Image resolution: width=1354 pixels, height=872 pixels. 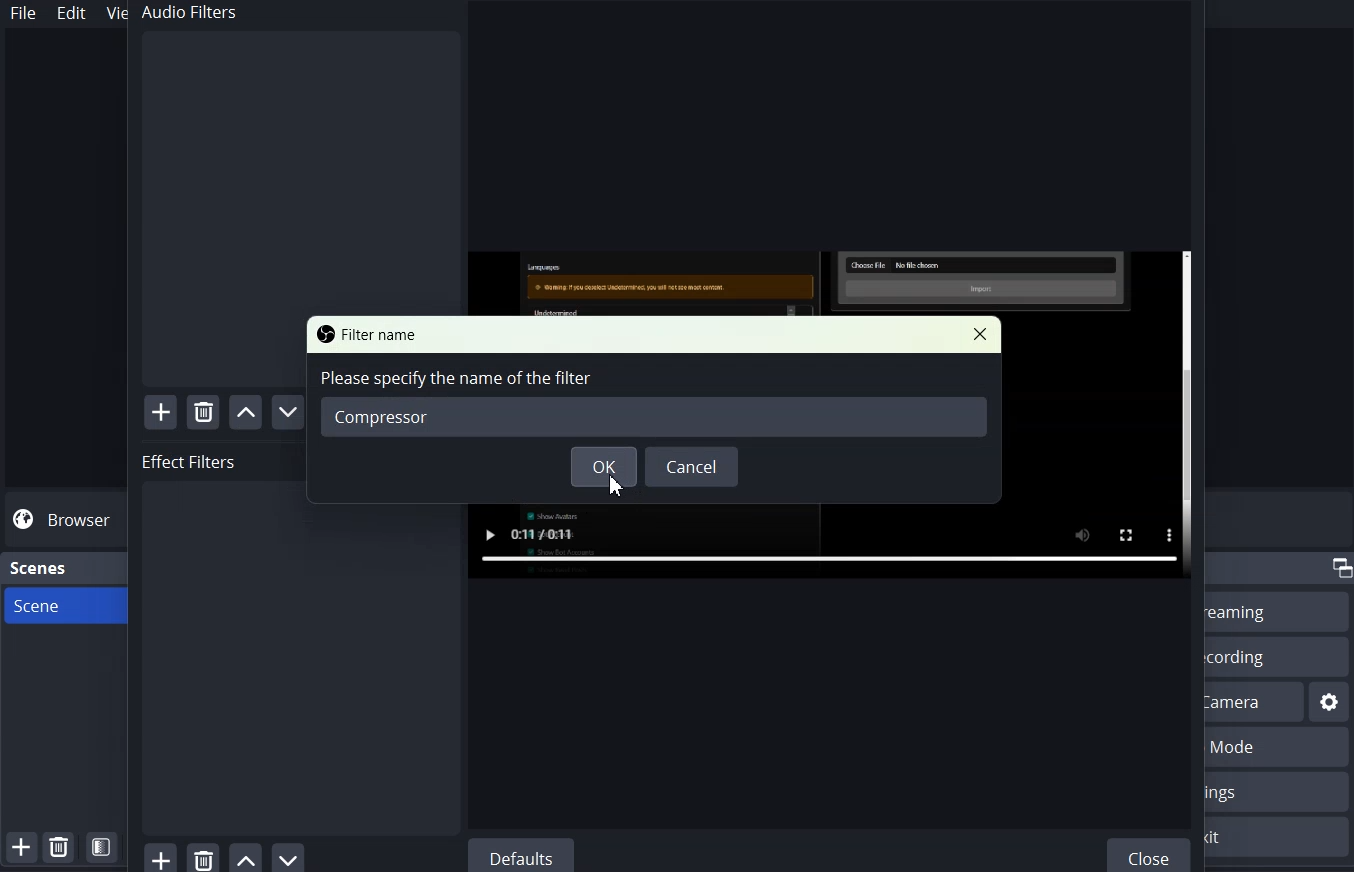 What do you see at coordinates (112, 12) in the screenshot?
I see `View` at bounding box center [112, 12].